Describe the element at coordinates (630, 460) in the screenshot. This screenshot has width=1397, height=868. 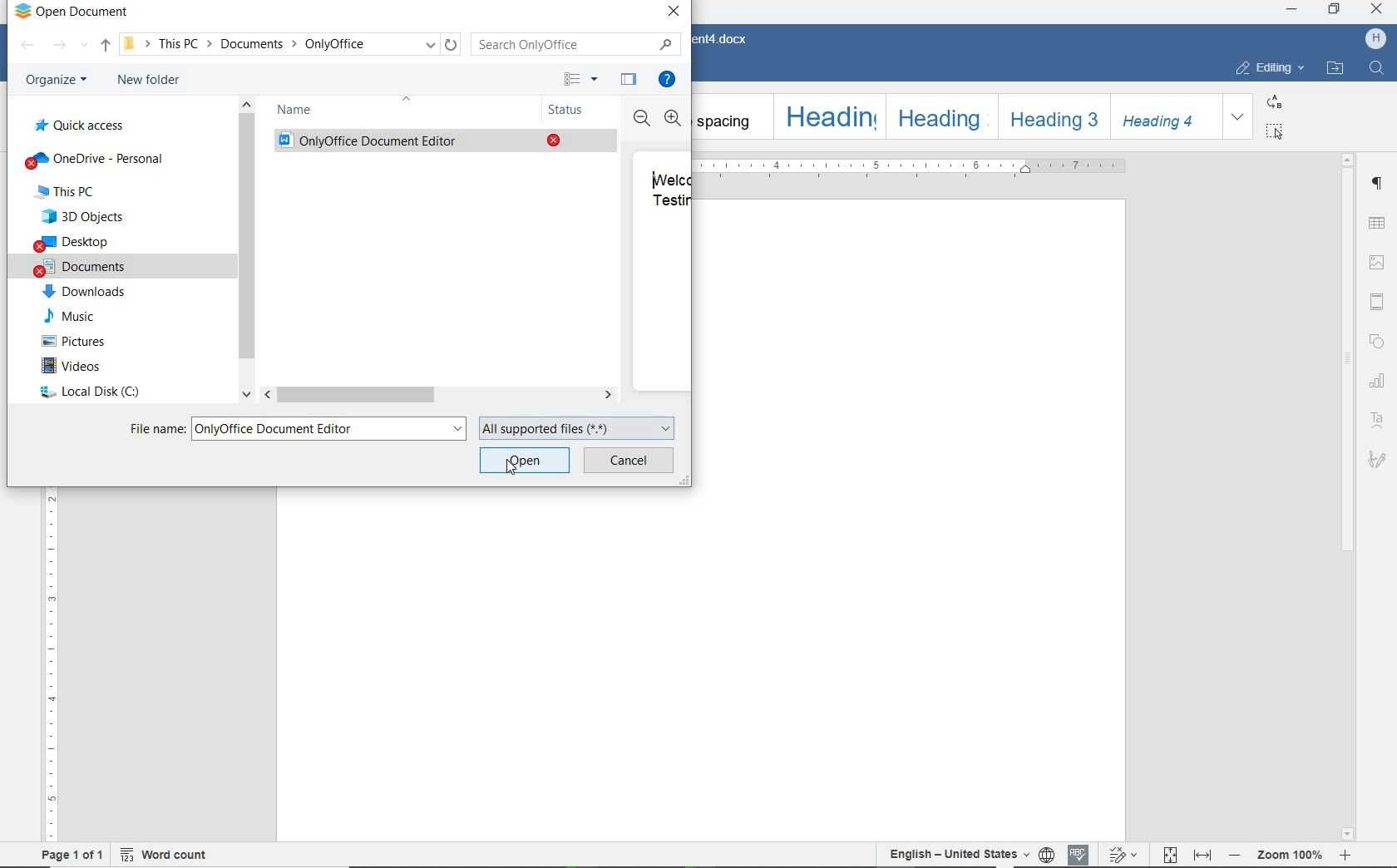
I see `cancel` at that location.